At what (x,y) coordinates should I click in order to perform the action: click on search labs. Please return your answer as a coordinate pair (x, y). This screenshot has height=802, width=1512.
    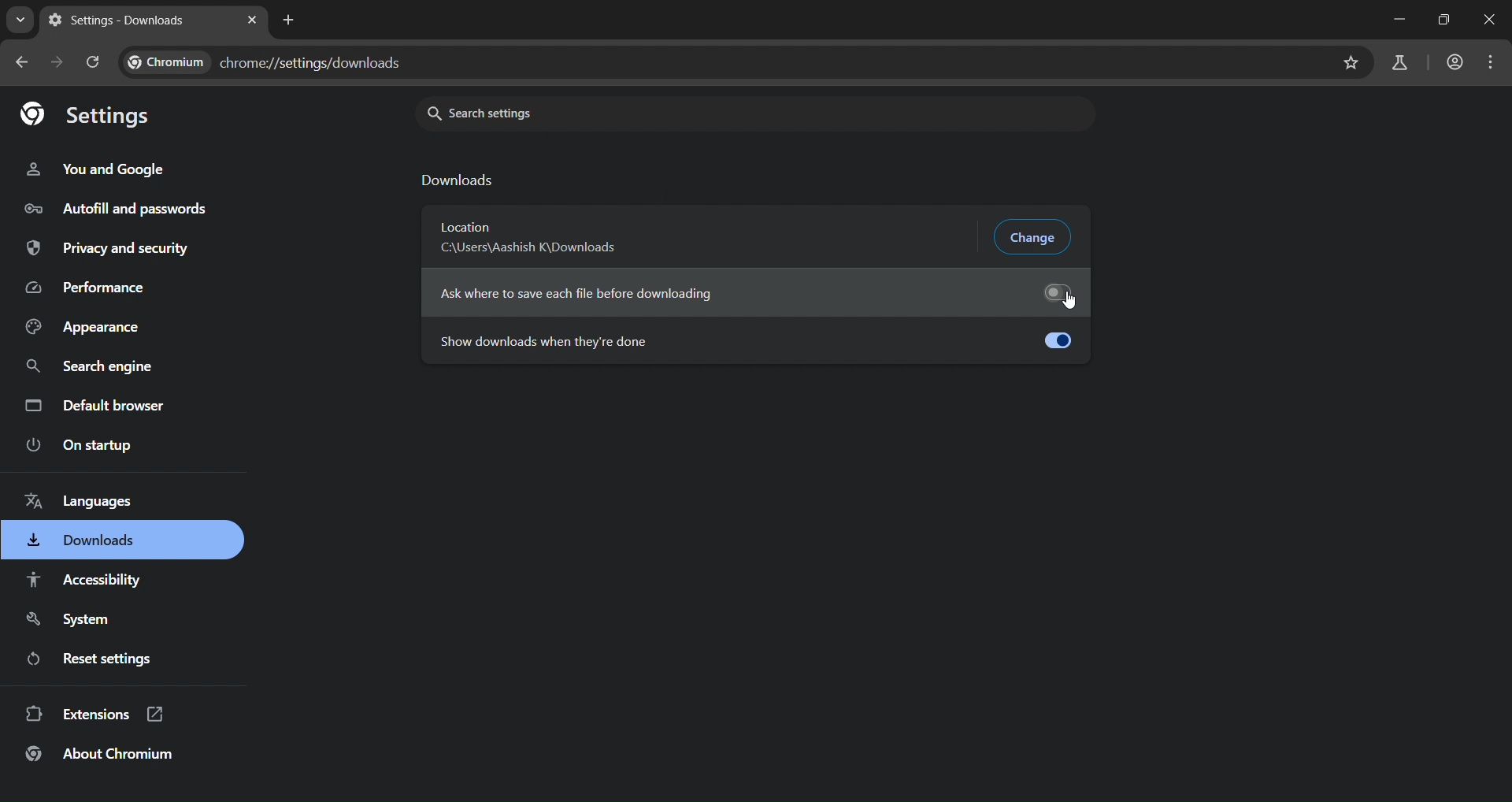
    Looking at the image, I should click on (1399, 62).